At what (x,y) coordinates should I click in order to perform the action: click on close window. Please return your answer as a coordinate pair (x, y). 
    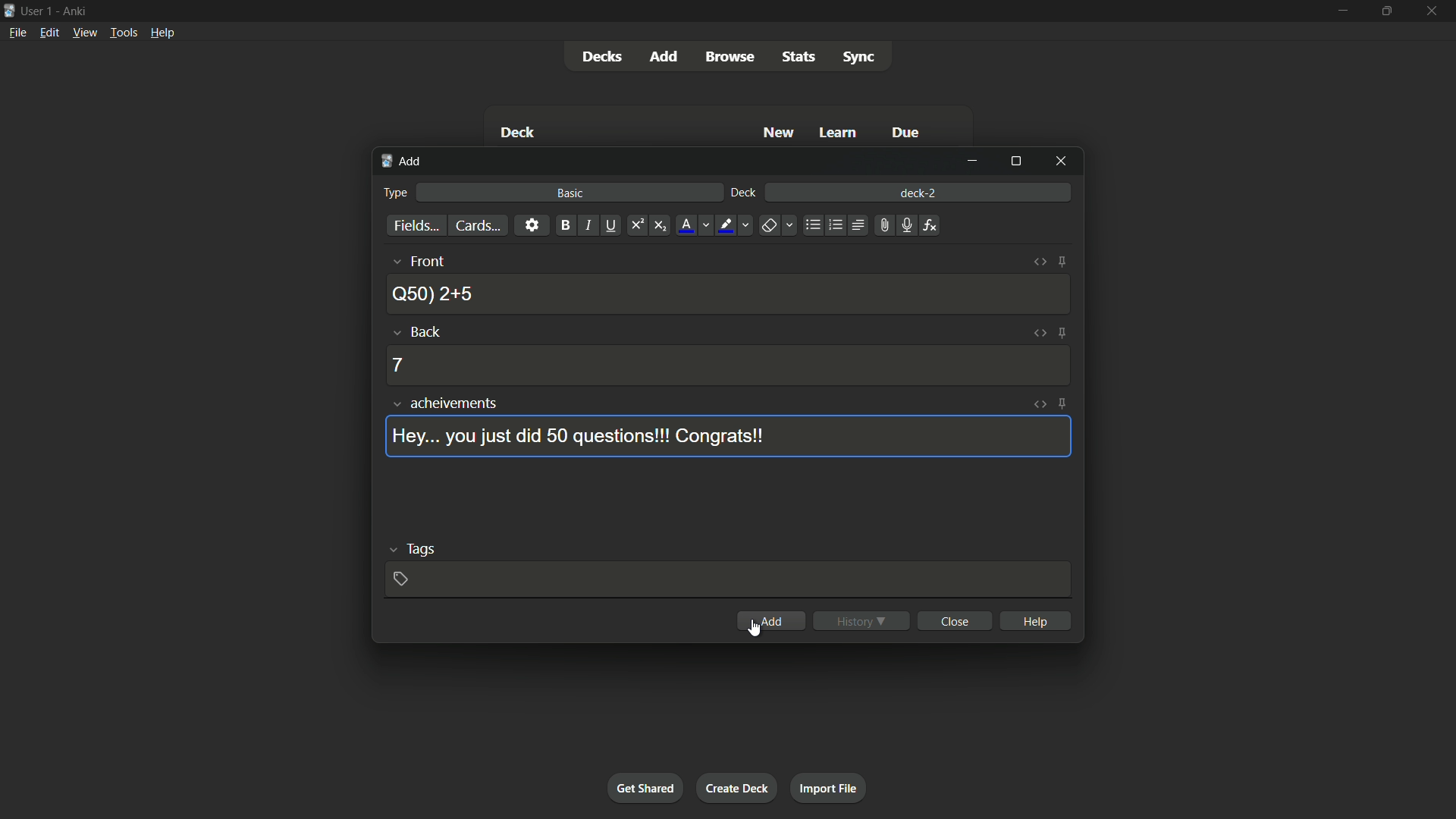
    Looking at the image, I should click on (1059, 162).